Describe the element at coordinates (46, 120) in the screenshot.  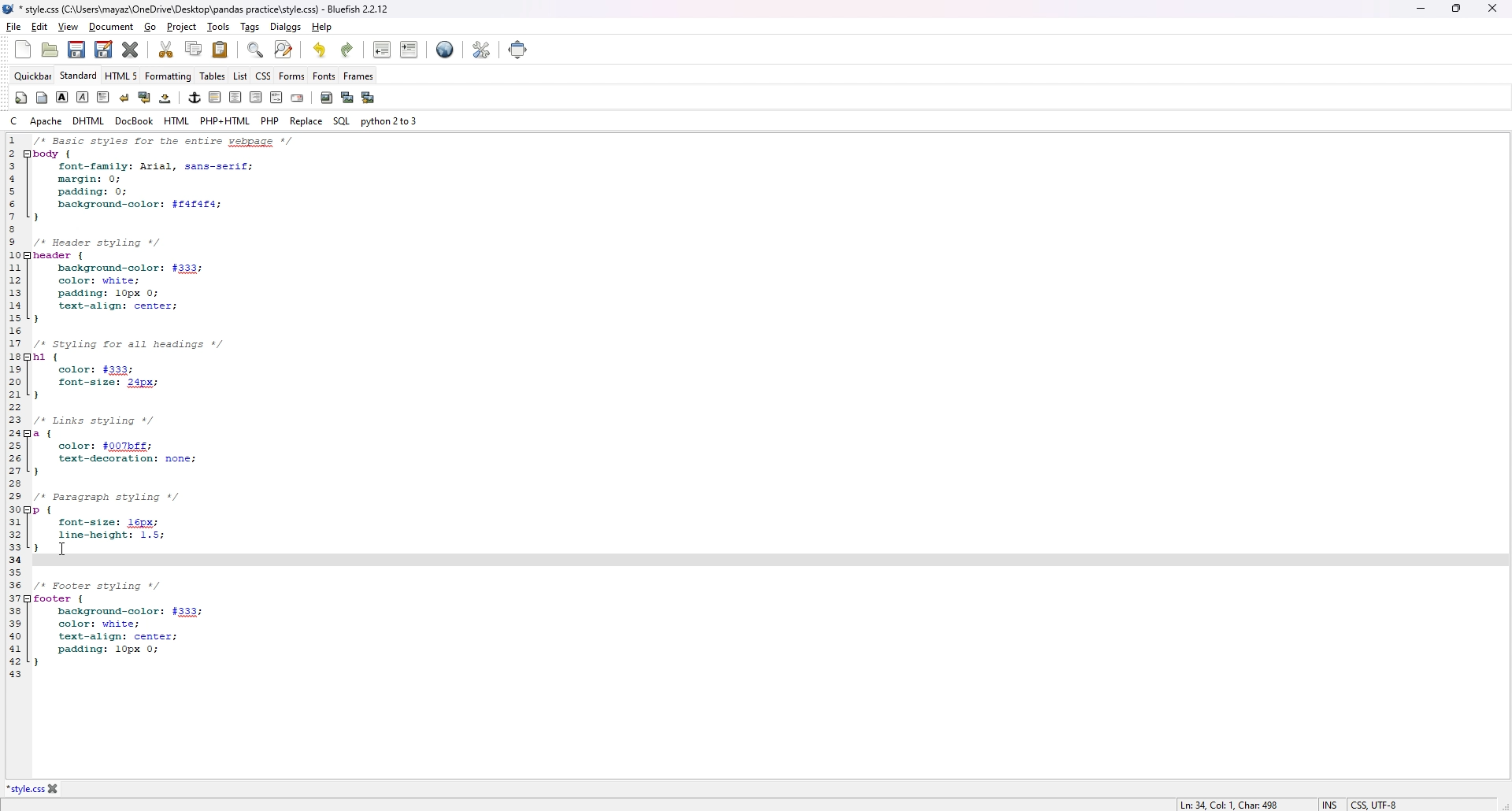
I see `apache` at that location.